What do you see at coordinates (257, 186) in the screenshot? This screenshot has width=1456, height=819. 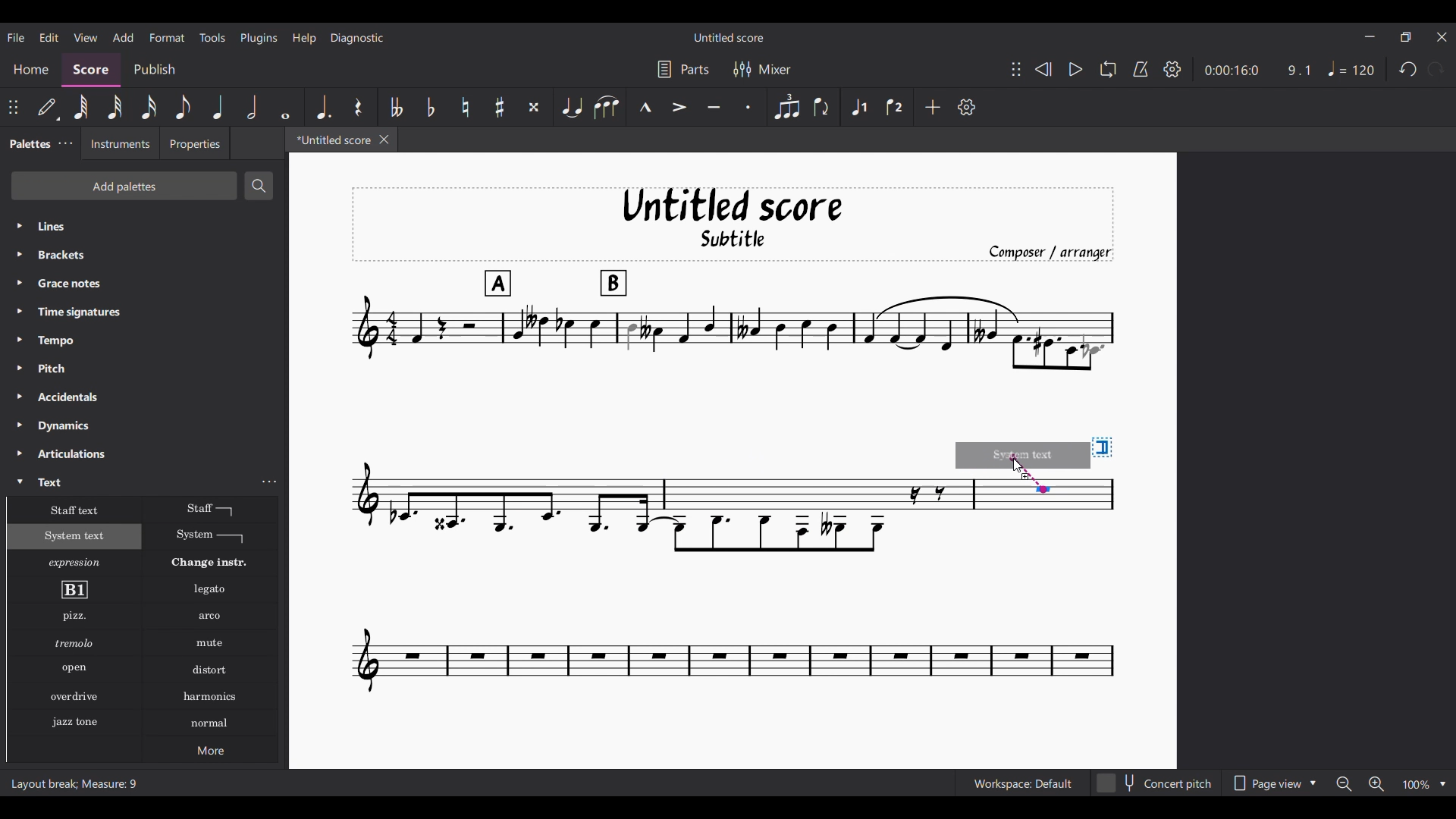 I see `Search` at bounding box center [257, 186].